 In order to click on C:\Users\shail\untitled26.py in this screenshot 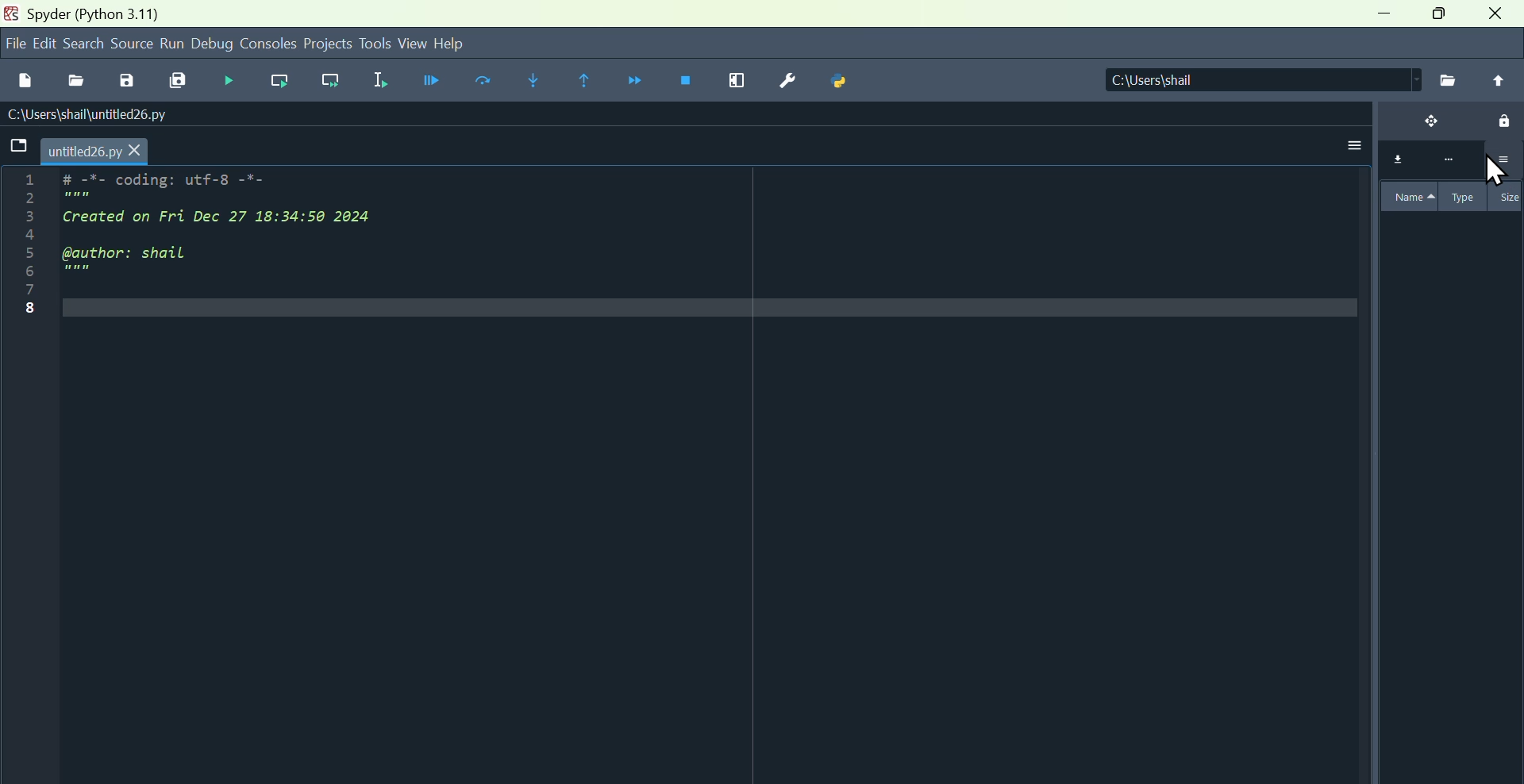, I will do `click(103, 115)`.